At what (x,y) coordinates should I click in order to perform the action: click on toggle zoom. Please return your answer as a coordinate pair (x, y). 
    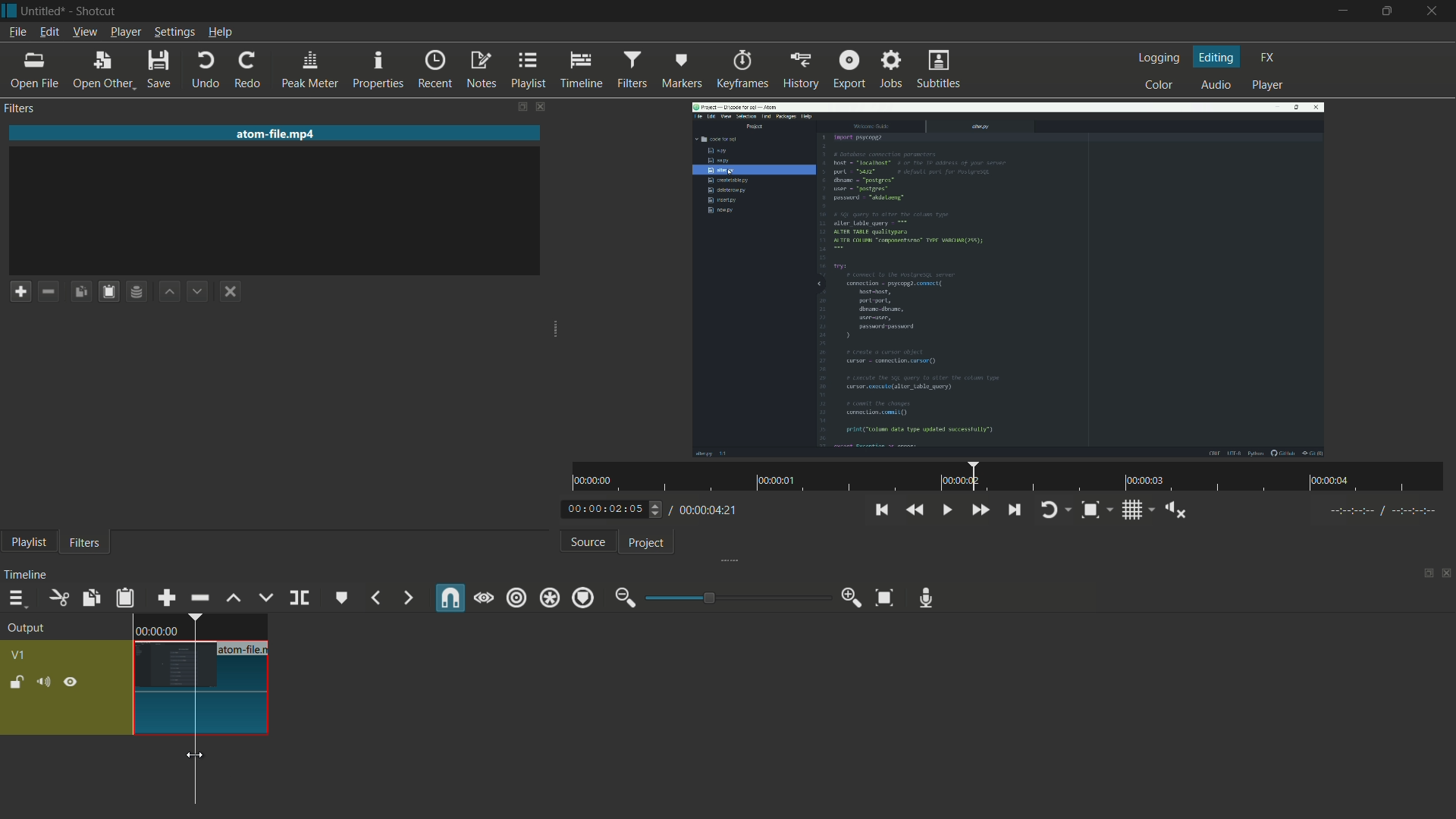
    Looking at the image, I should click on (1090, 510).